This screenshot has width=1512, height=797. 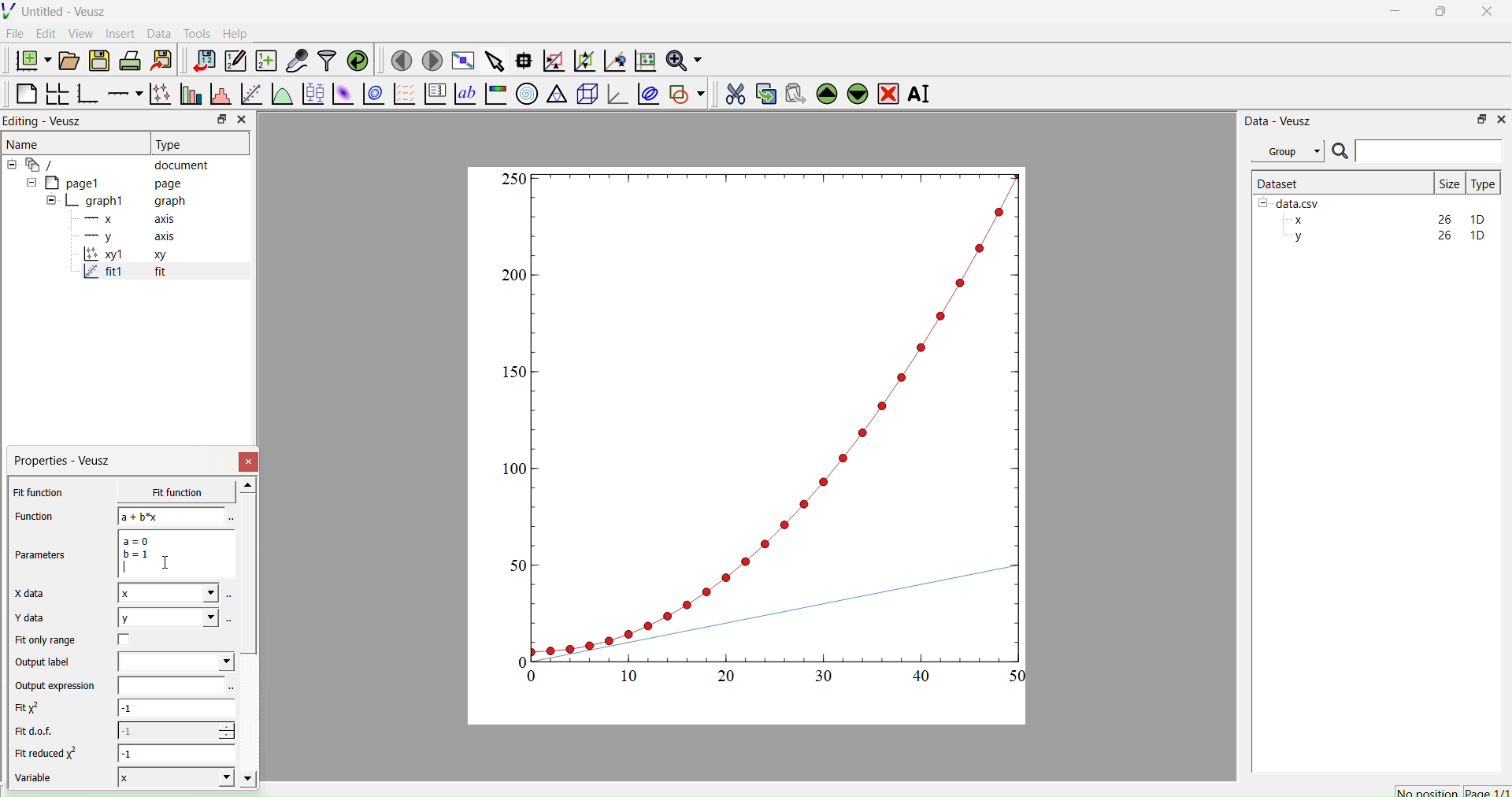 I want to click on Plot a 2d dataset as contours, so click(x=372, y=95).